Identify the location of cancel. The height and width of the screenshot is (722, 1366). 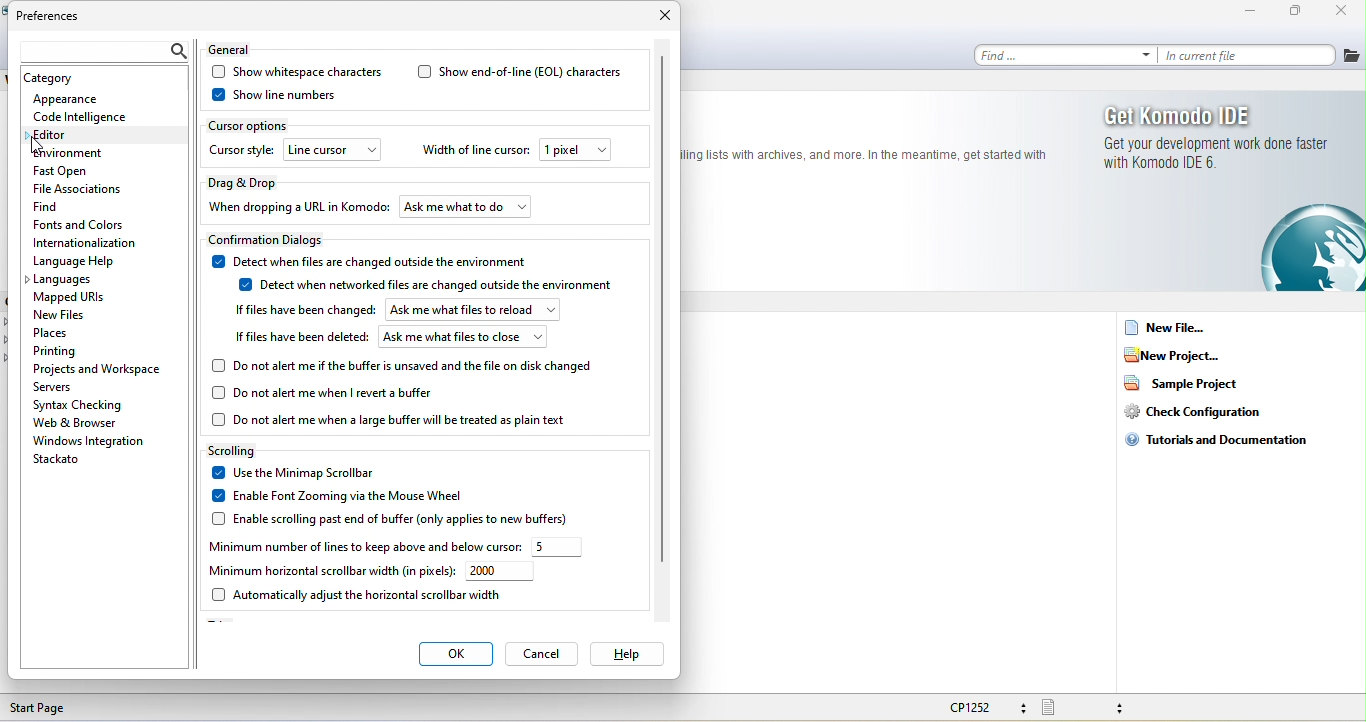
(541, 653).